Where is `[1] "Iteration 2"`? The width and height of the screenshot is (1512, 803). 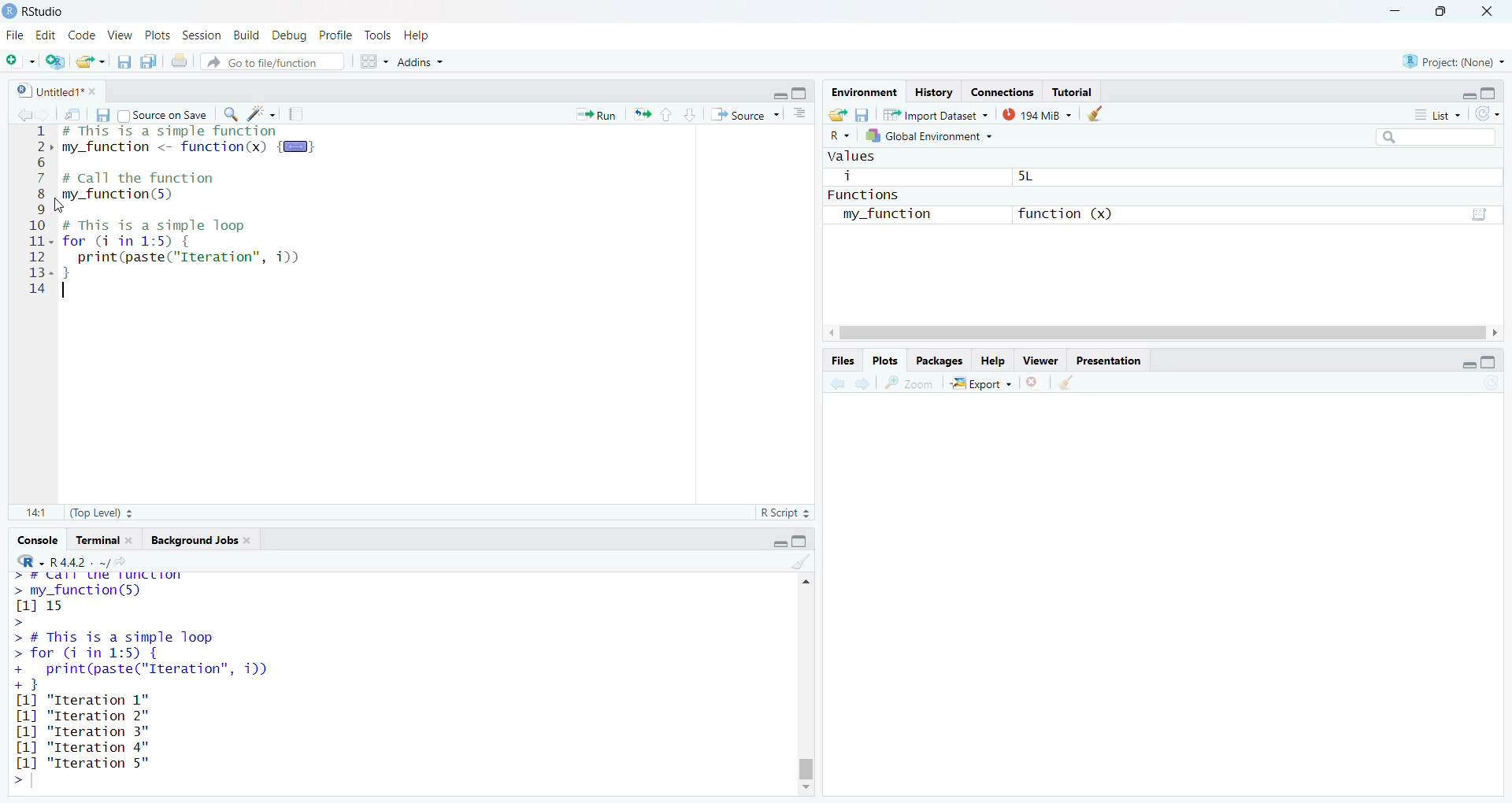 [1] "Iteration 2" is located at coordinates (86, 716).